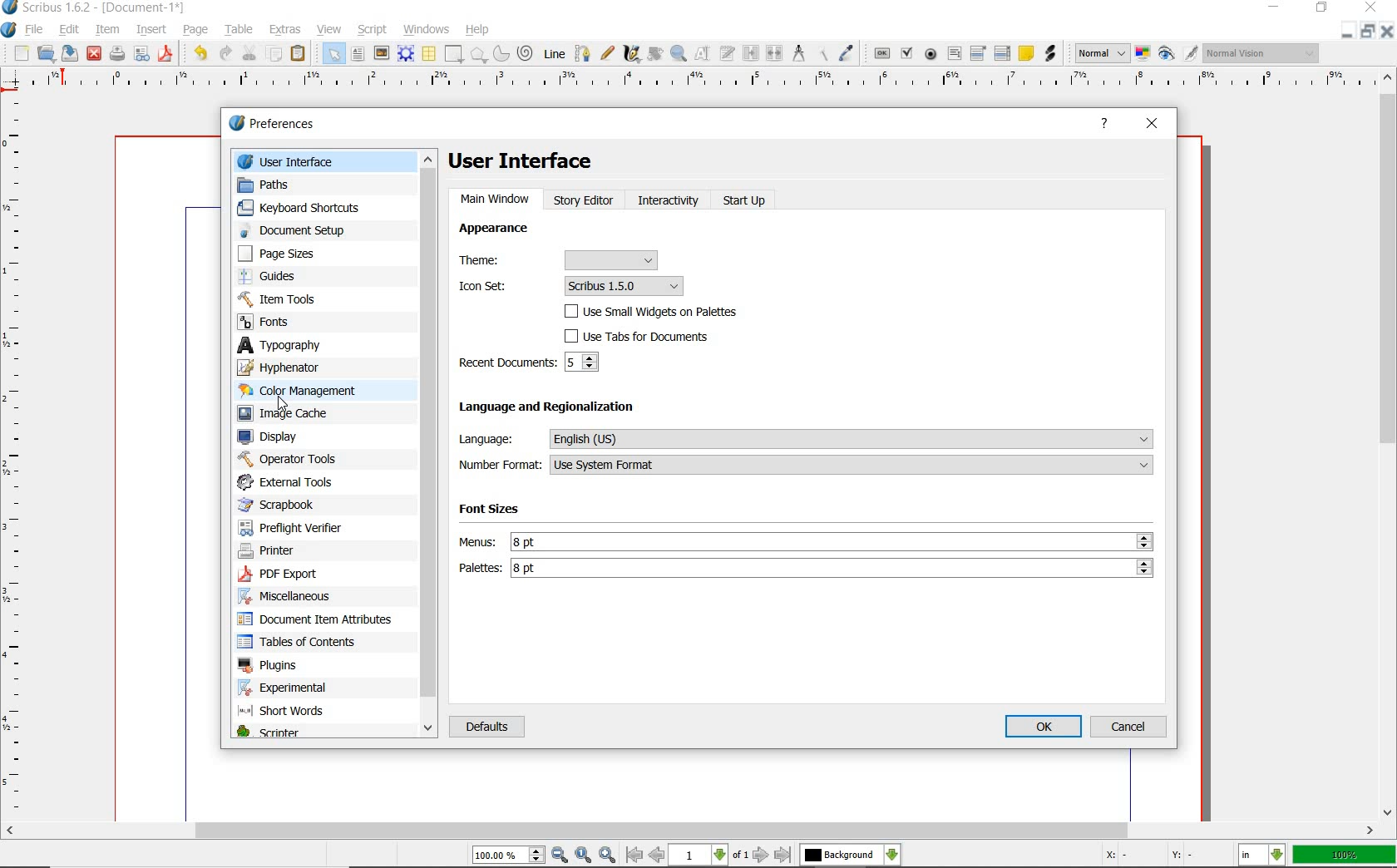 This screenshot has width=1397, height=868. What do you see at coordinates (288, 506) in the screenshot?
I see `scrapbook` at bounding box center [288, 506].